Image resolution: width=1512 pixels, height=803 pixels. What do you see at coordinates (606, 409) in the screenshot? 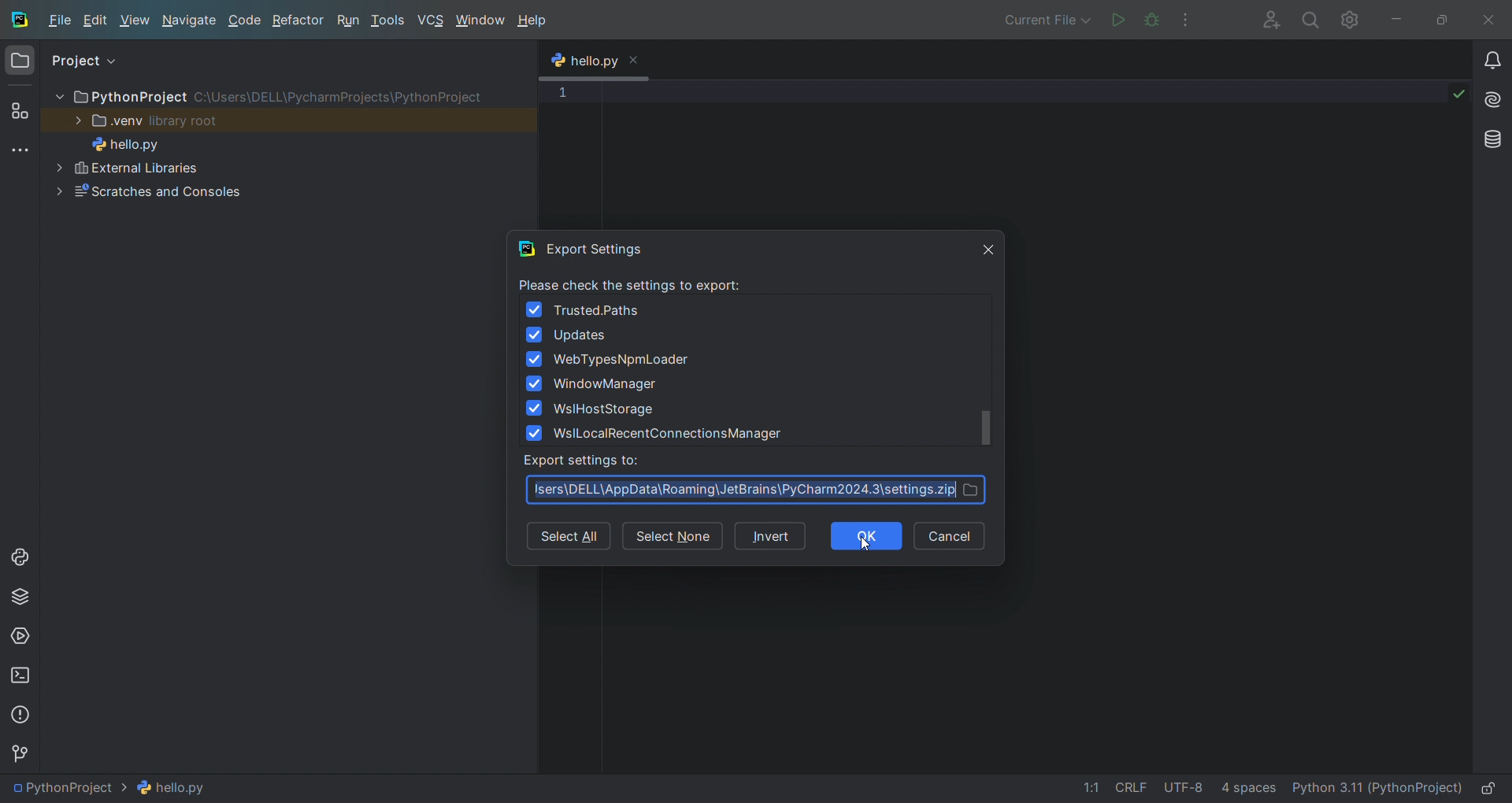
I see `WslHostStorage` at bounding box center [606, 409].